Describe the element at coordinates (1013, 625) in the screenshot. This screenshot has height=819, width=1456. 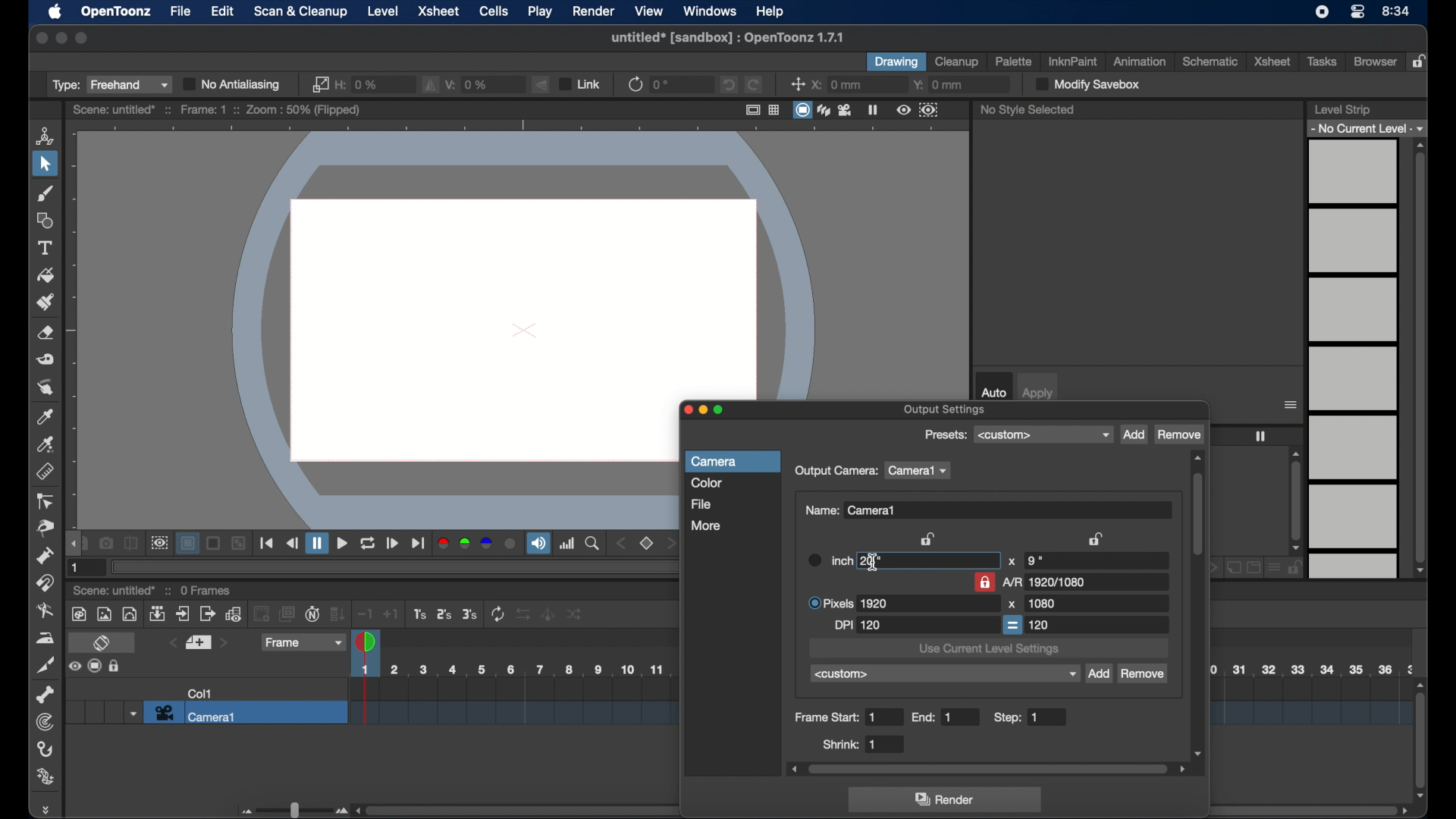
I see `equal to` at that location.